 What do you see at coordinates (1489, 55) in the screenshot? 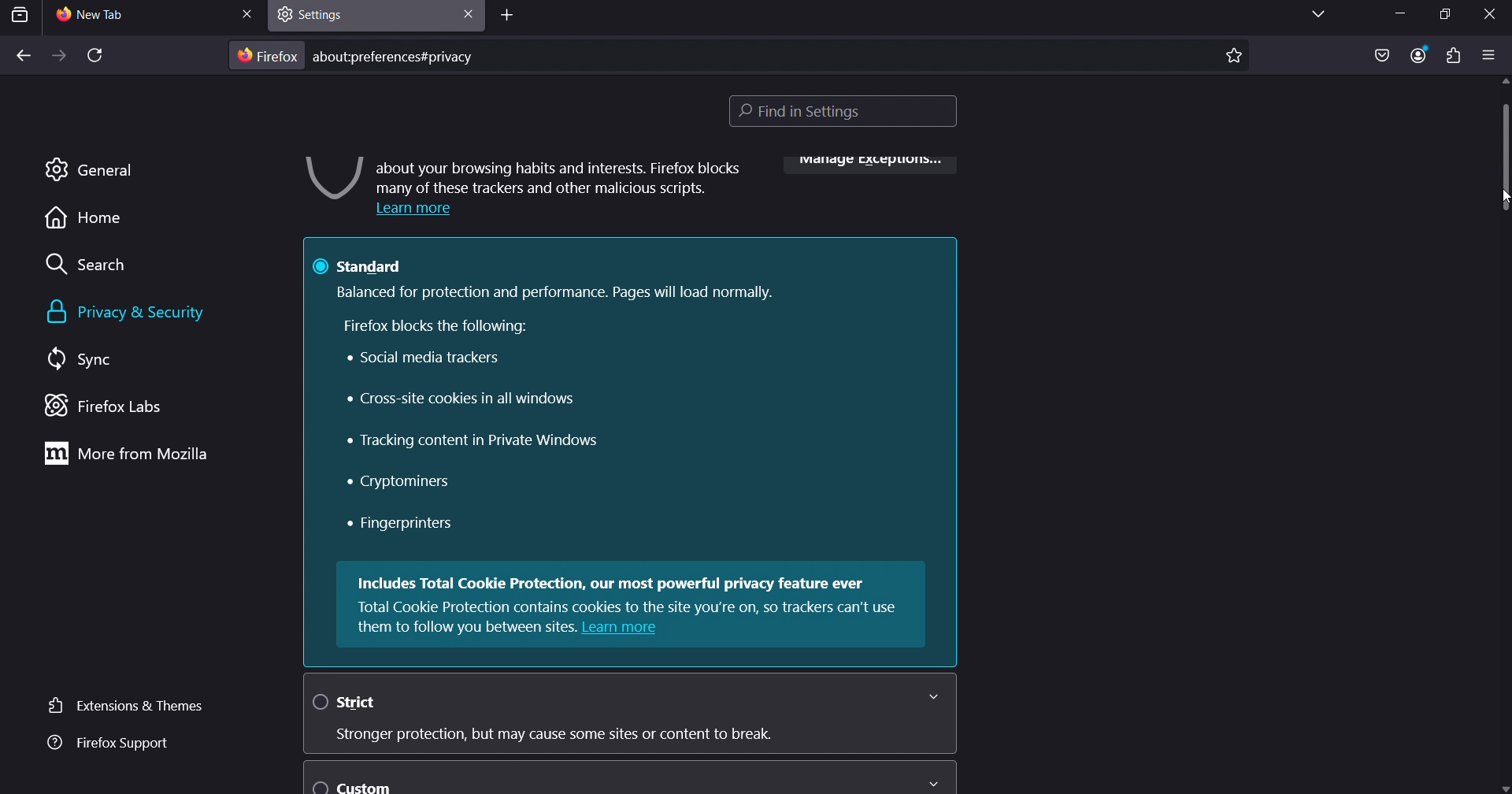
I see `open application menu` at bounding box center [1489, 55].